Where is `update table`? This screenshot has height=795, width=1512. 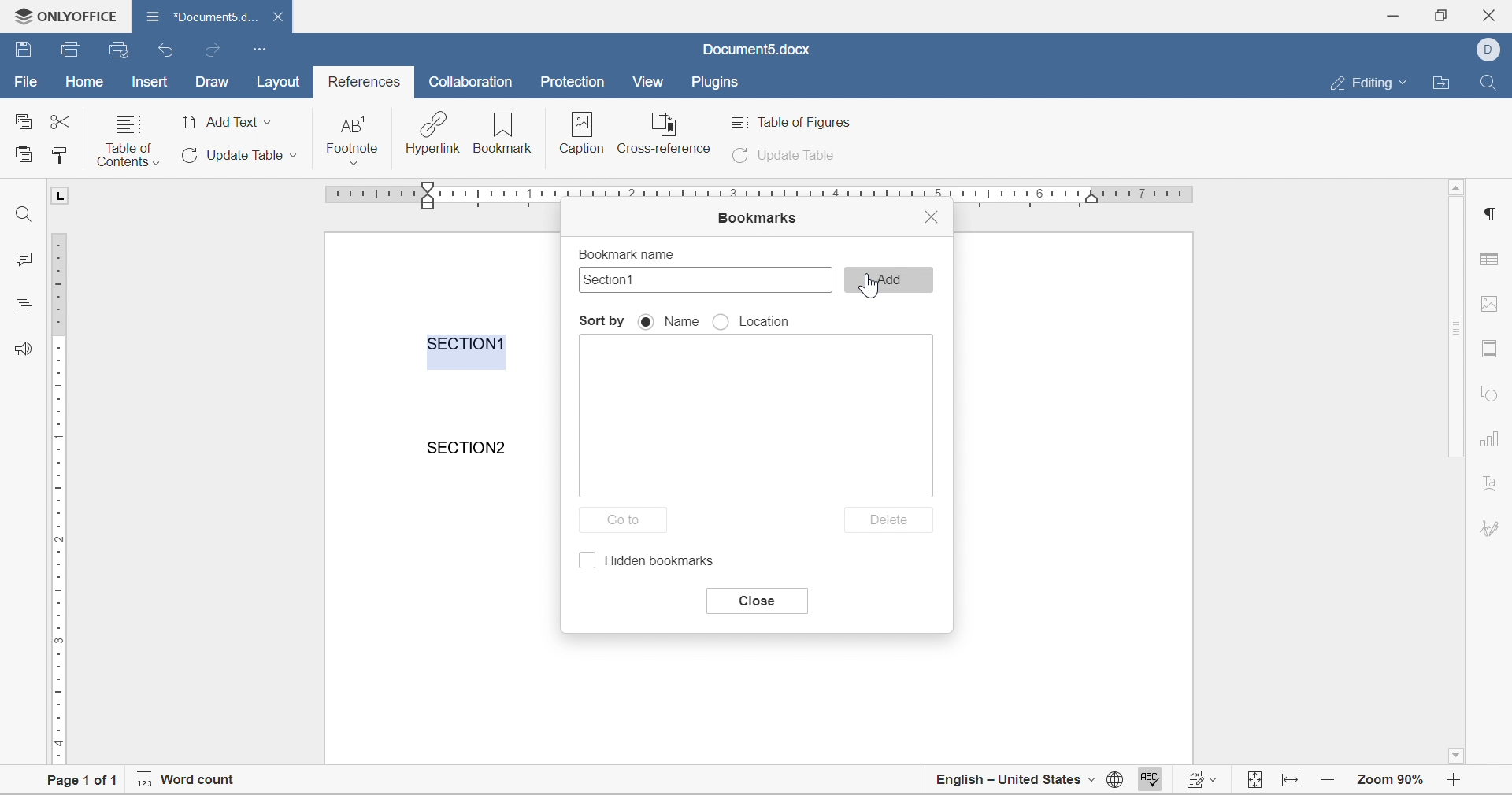
update table is located at coordinates (236, 155).